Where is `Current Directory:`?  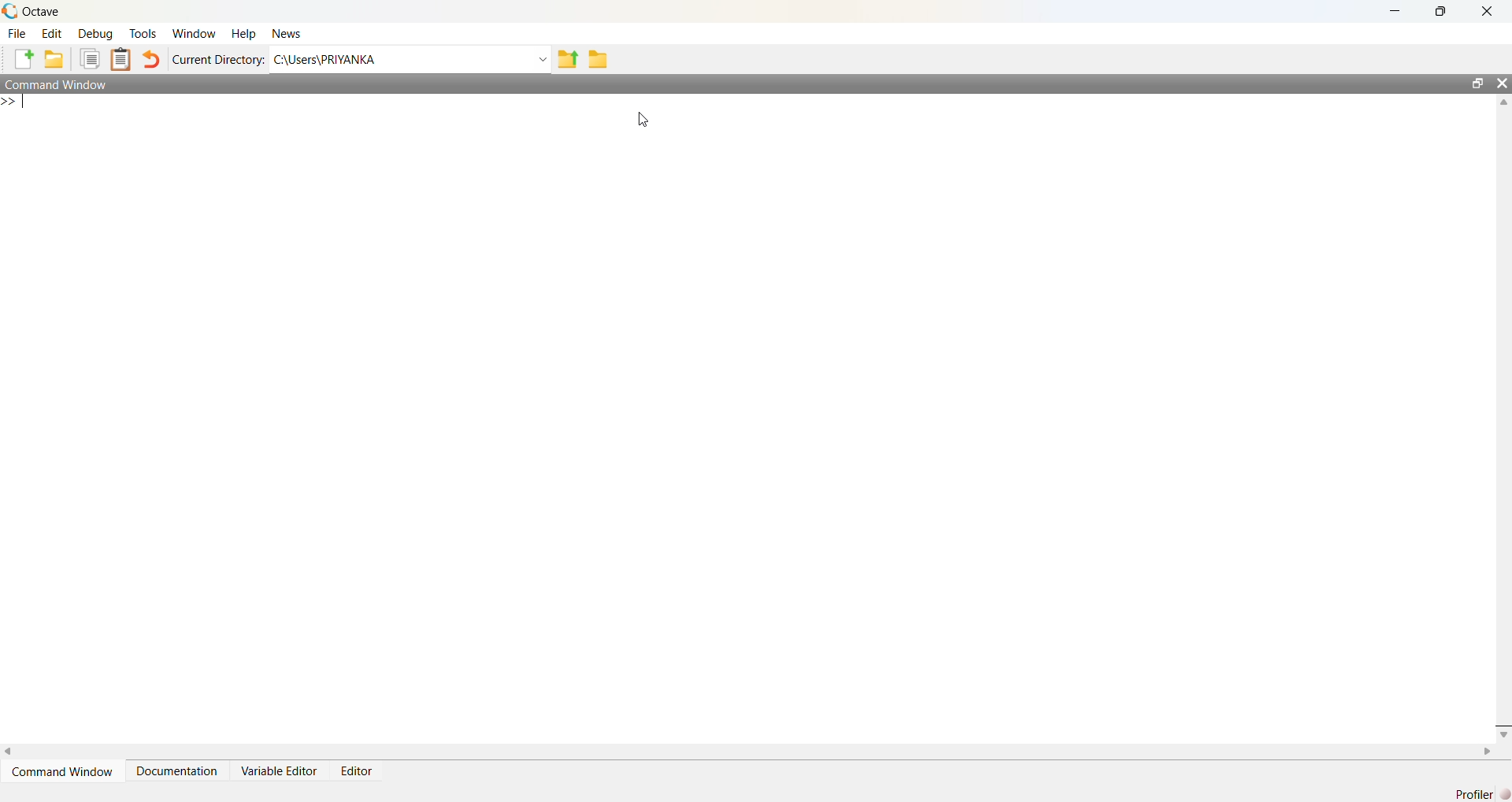
Current Directory: is located at coordinates (218, 58).